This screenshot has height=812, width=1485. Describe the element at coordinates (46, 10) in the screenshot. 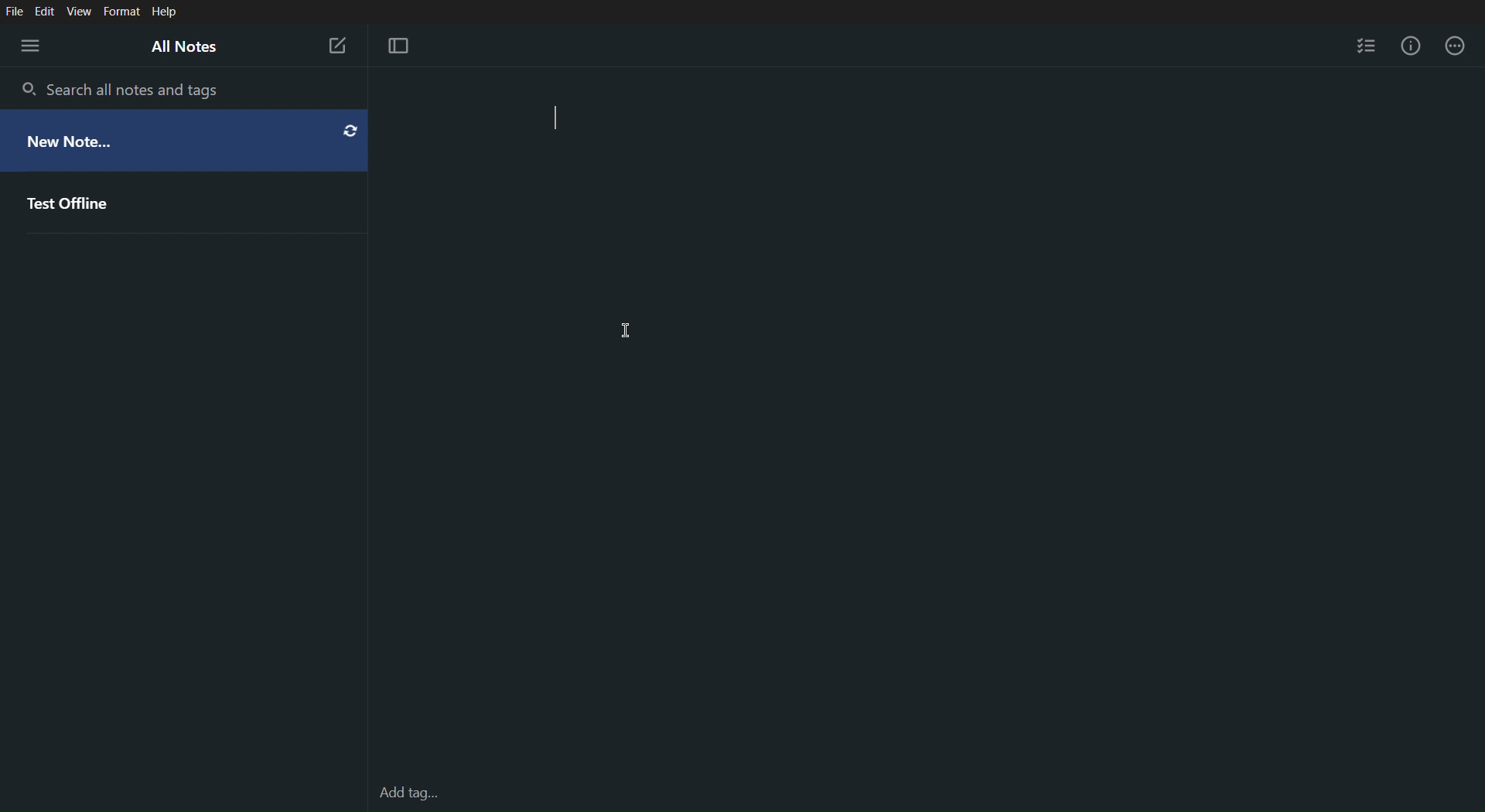

I see `Edit` at that location.